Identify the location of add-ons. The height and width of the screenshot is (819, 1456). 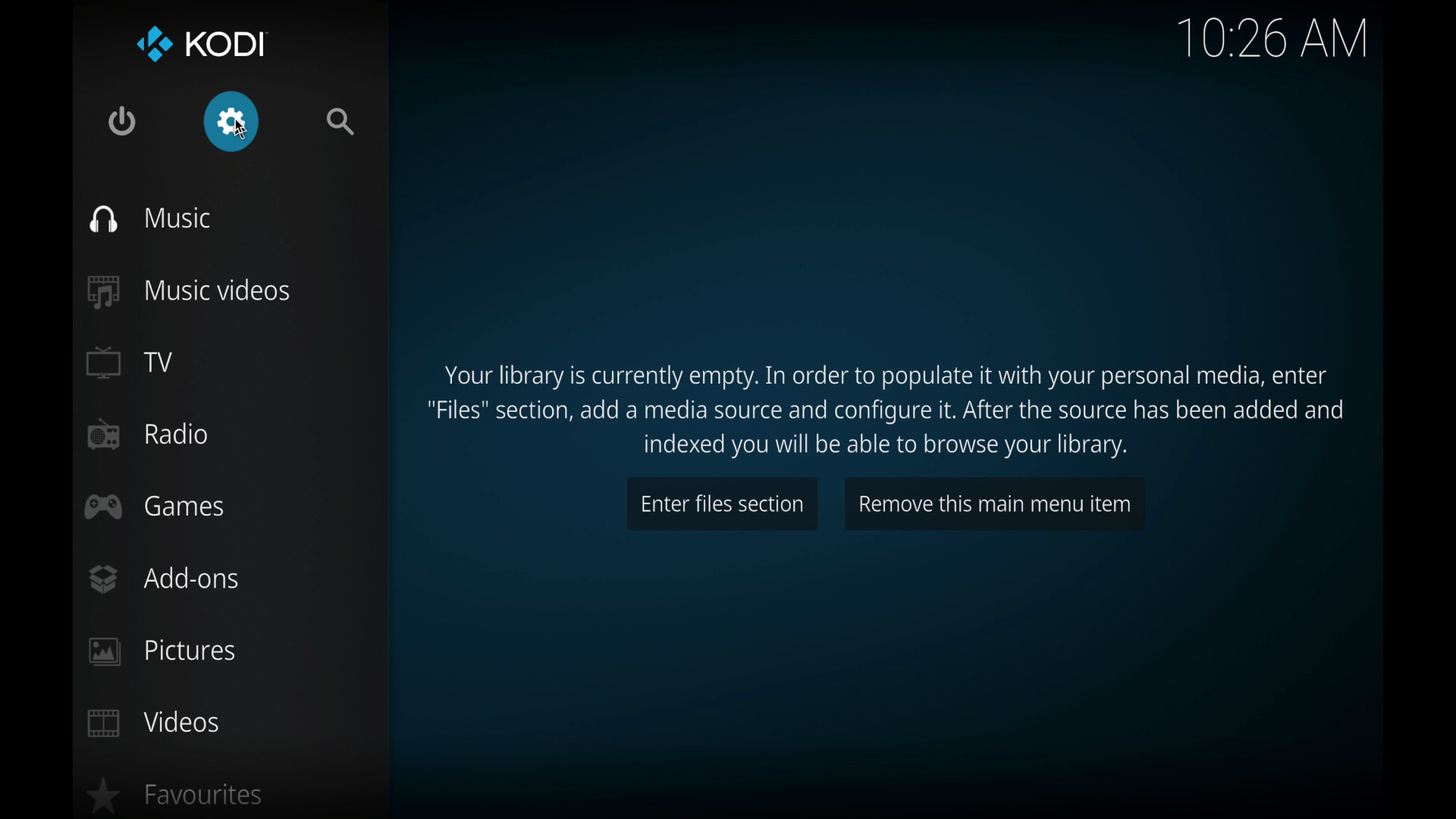
(167, 579).